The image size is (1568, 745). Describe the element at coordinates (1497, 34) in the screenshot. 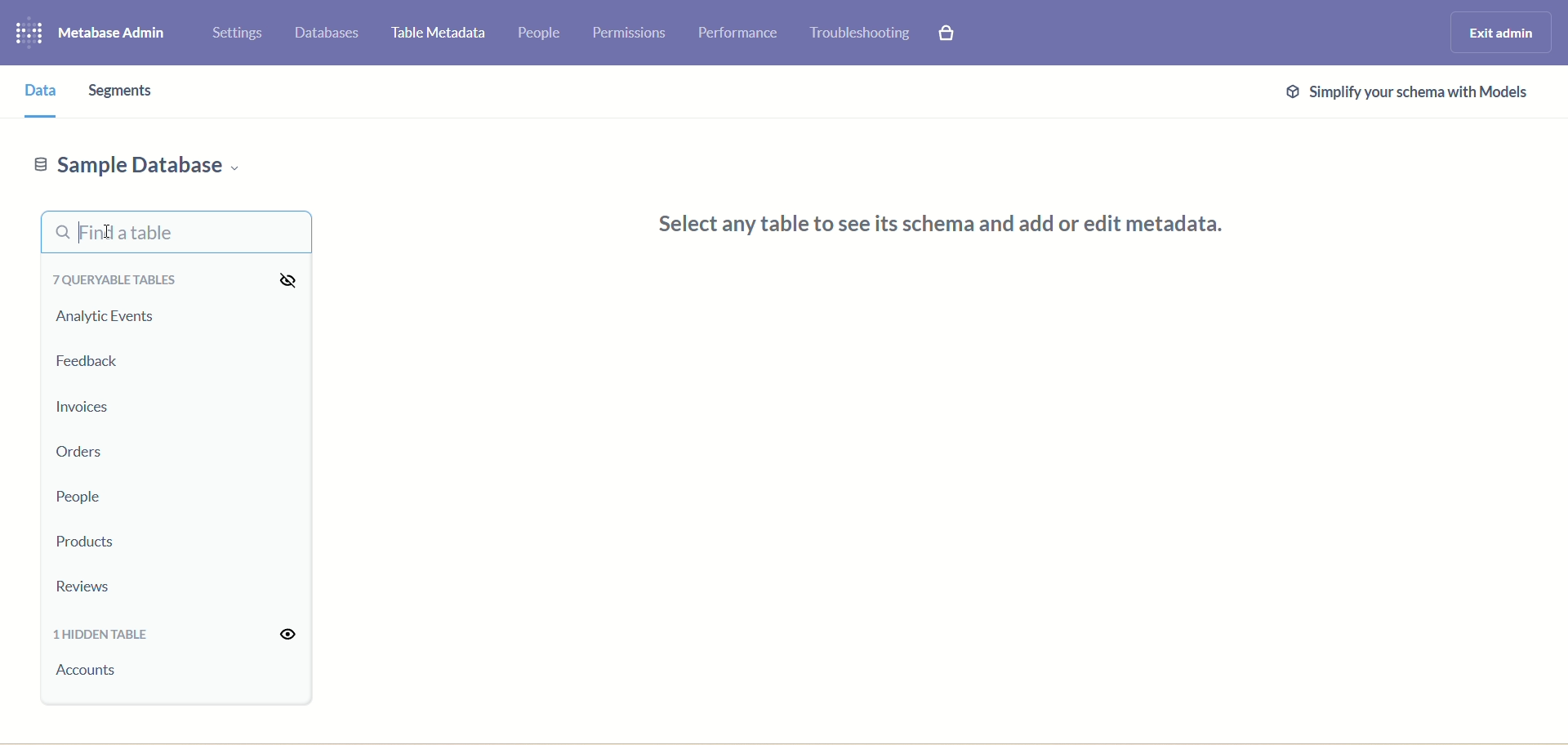

I see `exit admin` at that location.